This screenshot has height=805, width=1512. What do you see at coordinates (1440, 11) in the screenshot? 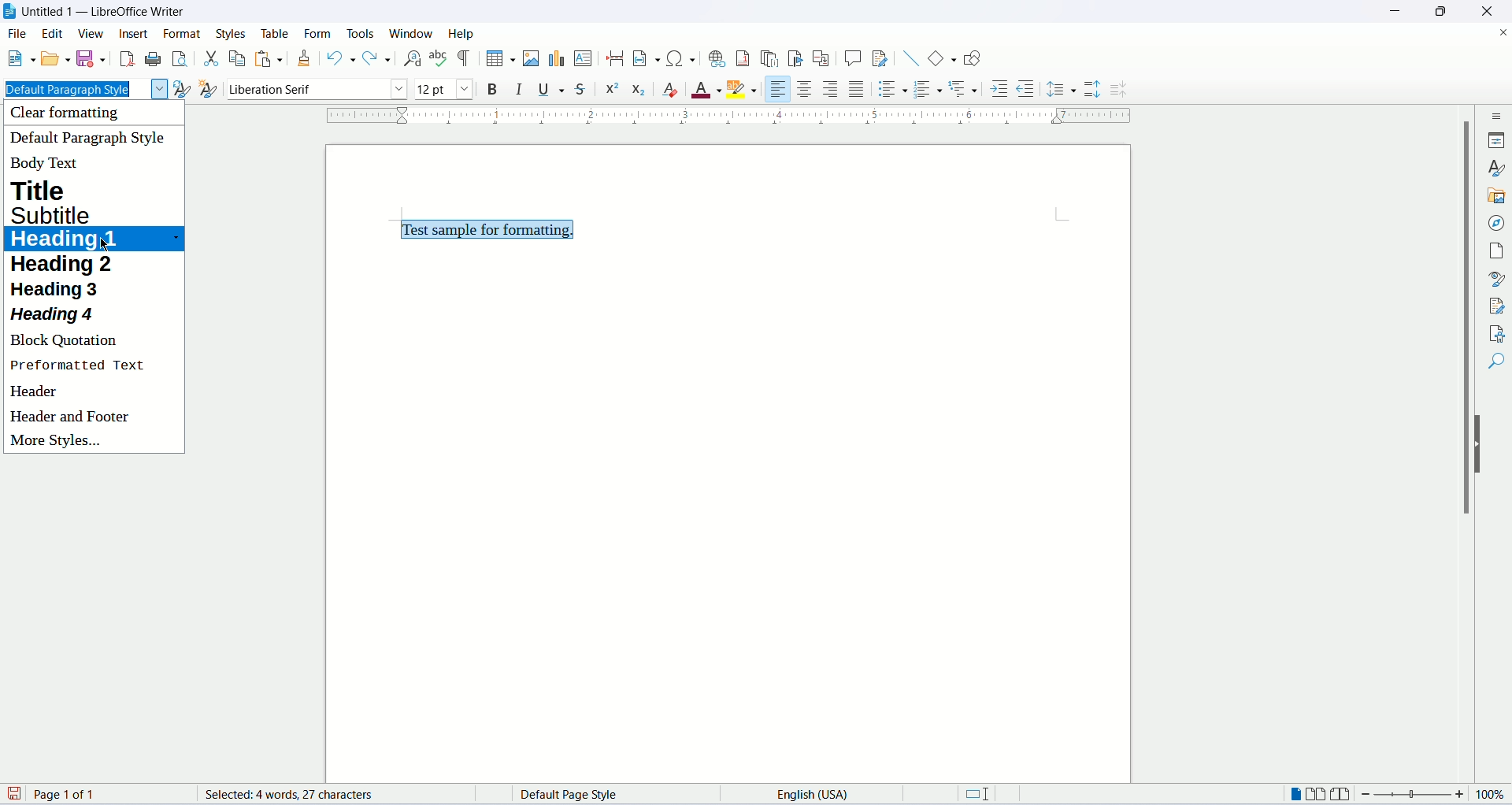
I see `maximize` at bounding box center [1440, 11].